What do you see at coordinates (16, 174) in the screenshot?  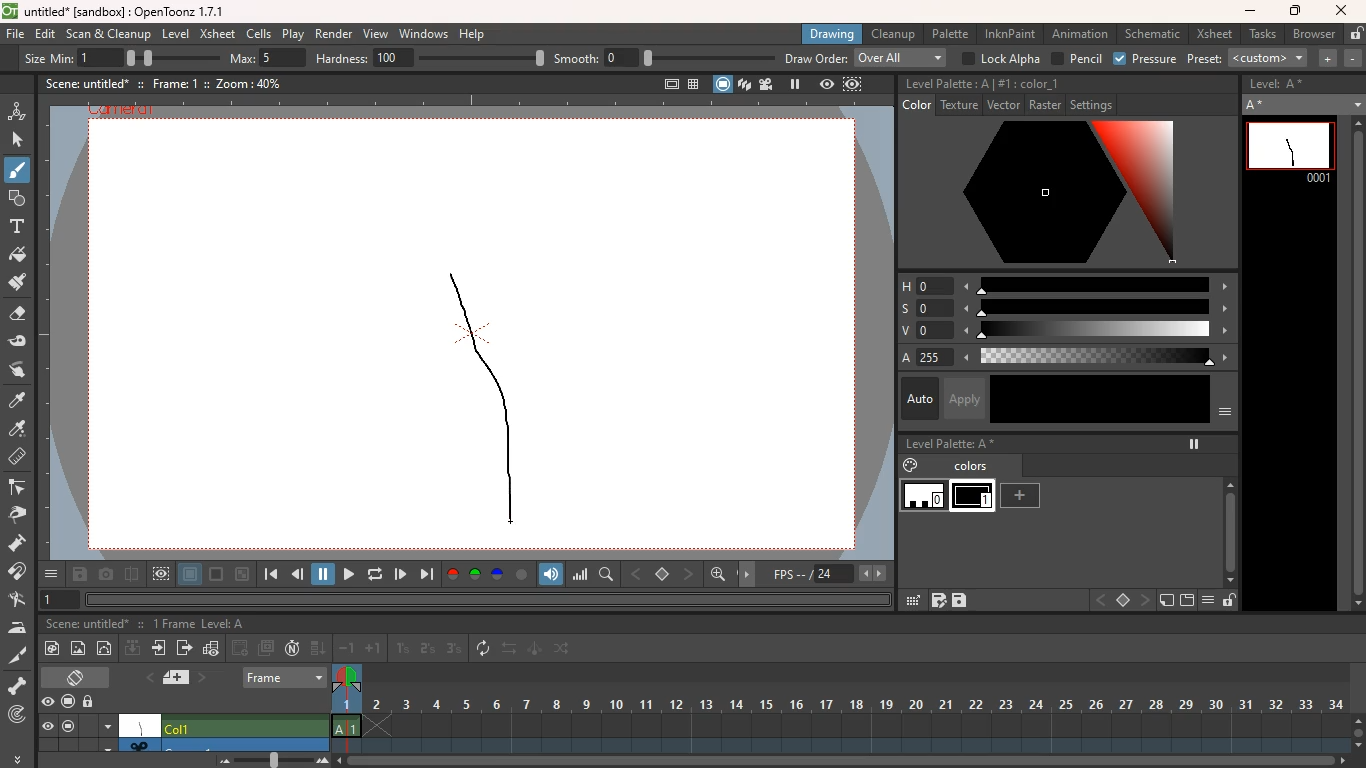 I see `brush` at bounding box center [16, 174].